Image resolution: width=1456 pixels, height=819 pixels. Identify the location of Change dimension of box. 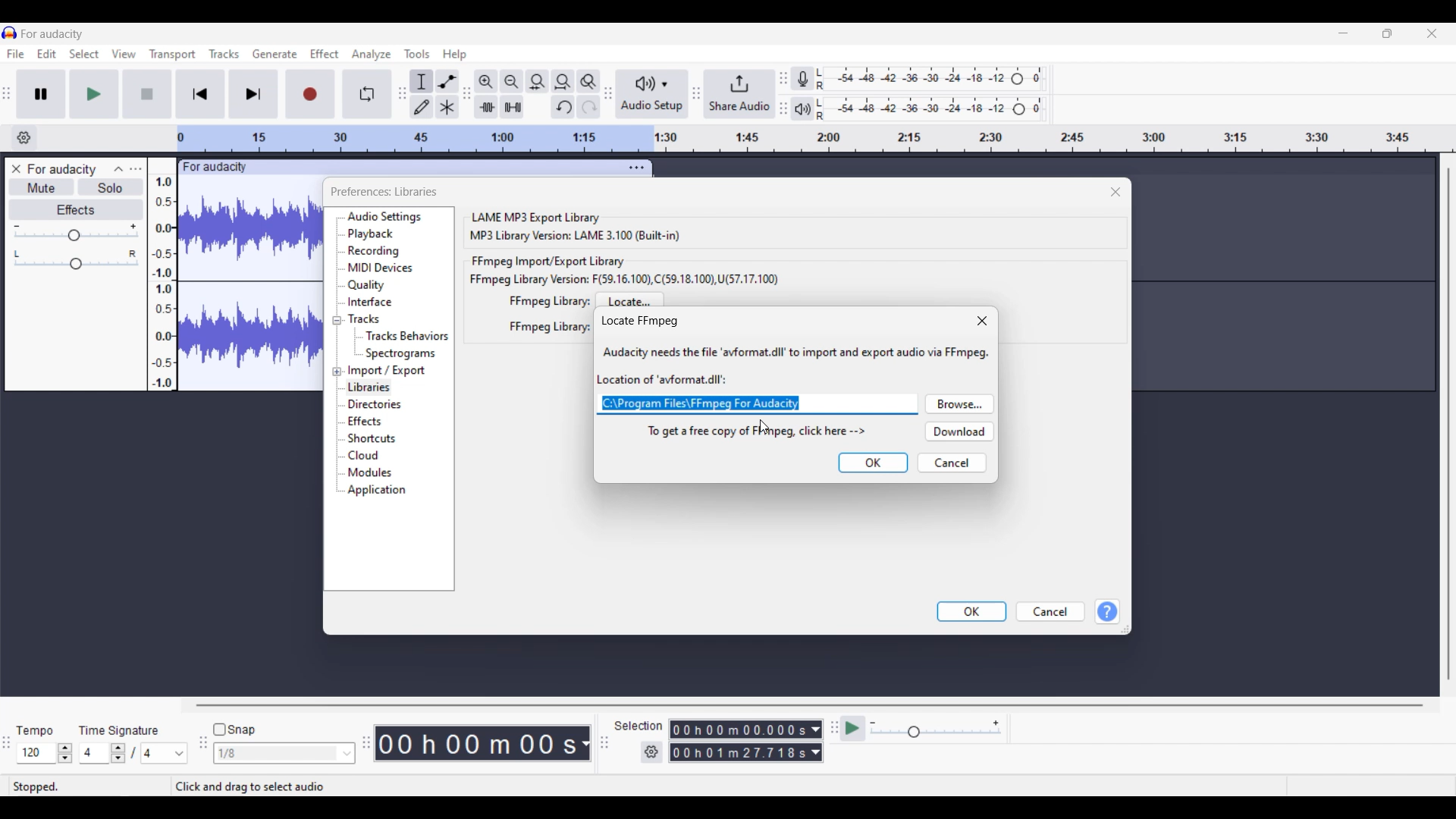
(1125, 629).